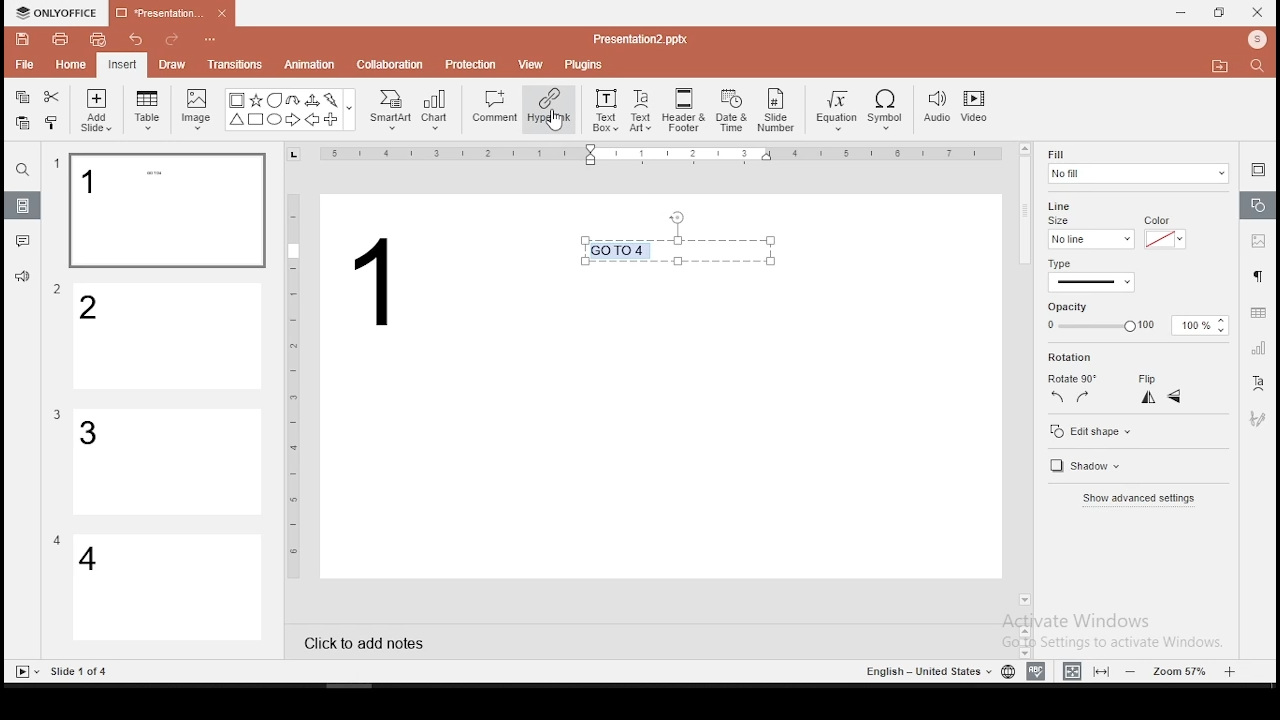  I want to click on slide 3, so click(165, 462).